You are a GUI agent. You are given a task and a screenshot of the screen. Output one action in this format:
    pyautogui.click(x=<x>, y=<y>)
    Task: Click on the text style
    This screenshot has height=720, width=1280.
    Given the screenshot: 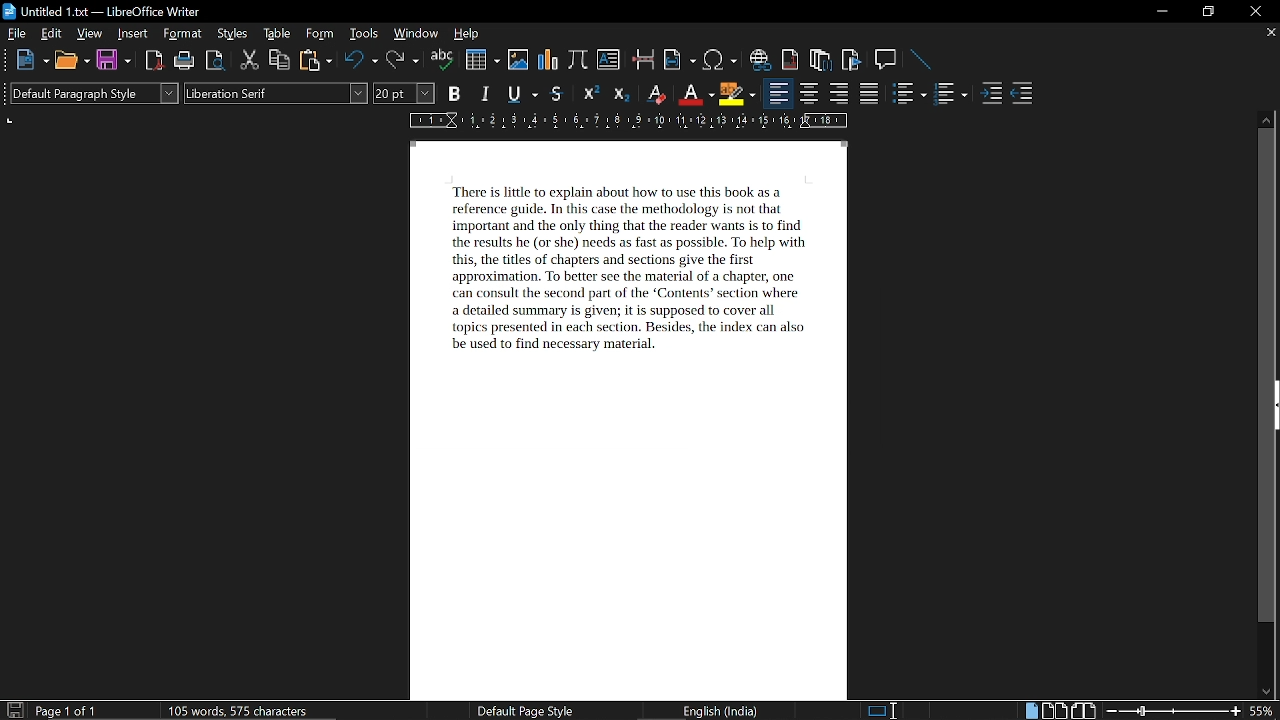 What is the action you would take?
    pyautogui.click(x=277, y=93)
    